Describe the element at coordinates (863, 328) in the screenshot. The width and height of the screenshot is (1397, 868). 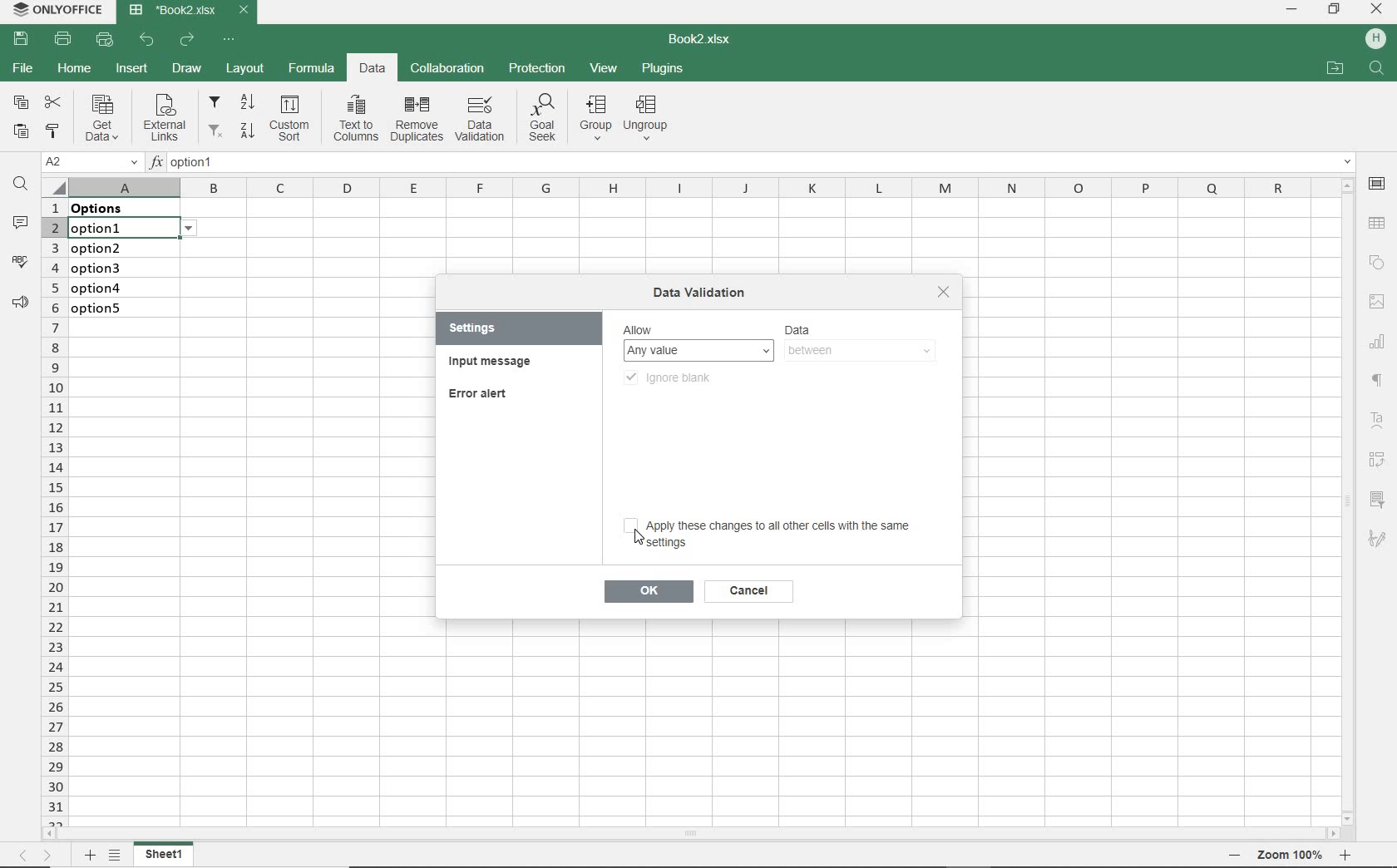
I see `DATA` at that location.